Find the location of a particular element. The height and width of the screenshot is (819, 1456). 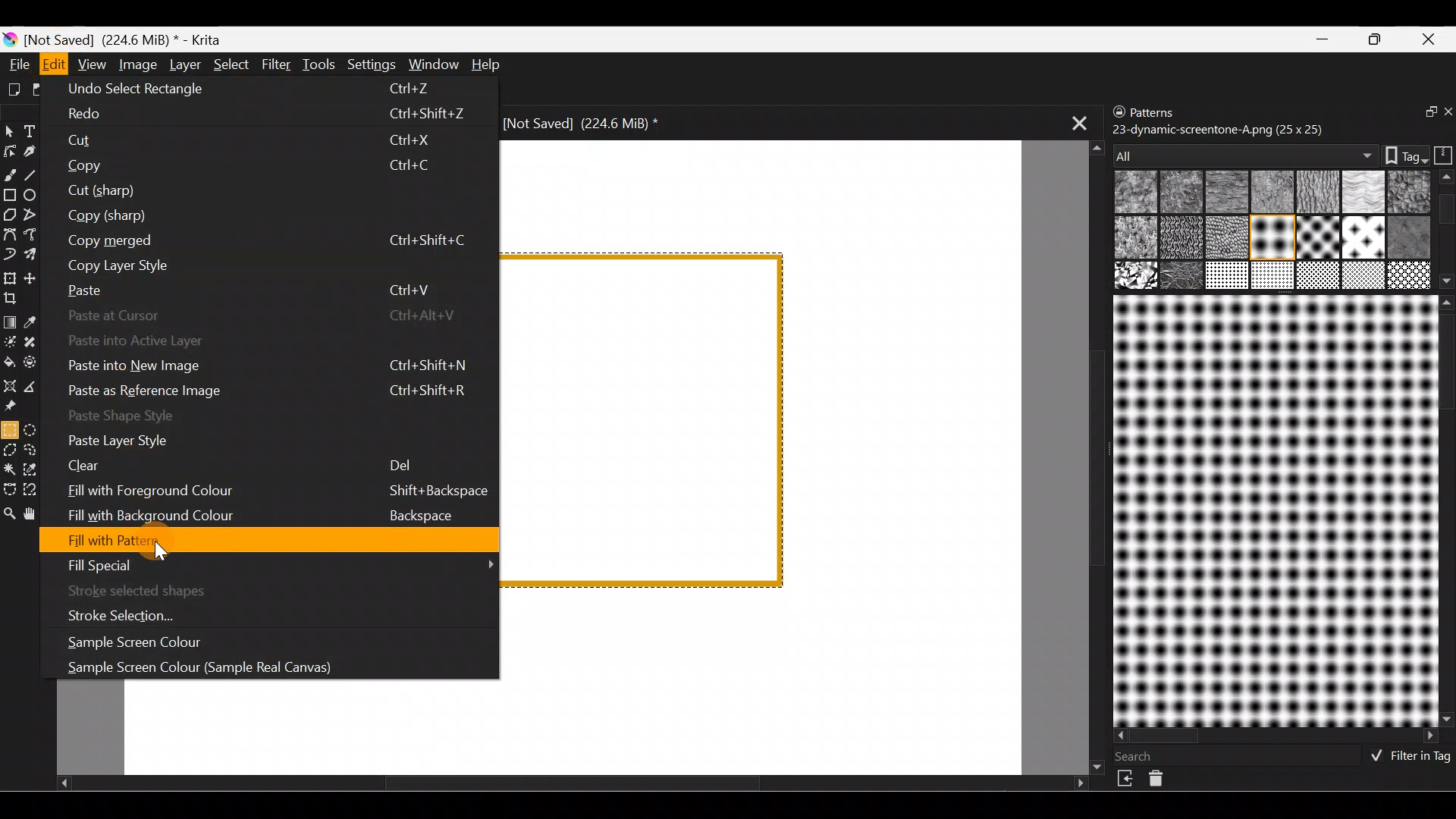

Scroll tab is located at coordinates (572, 787).